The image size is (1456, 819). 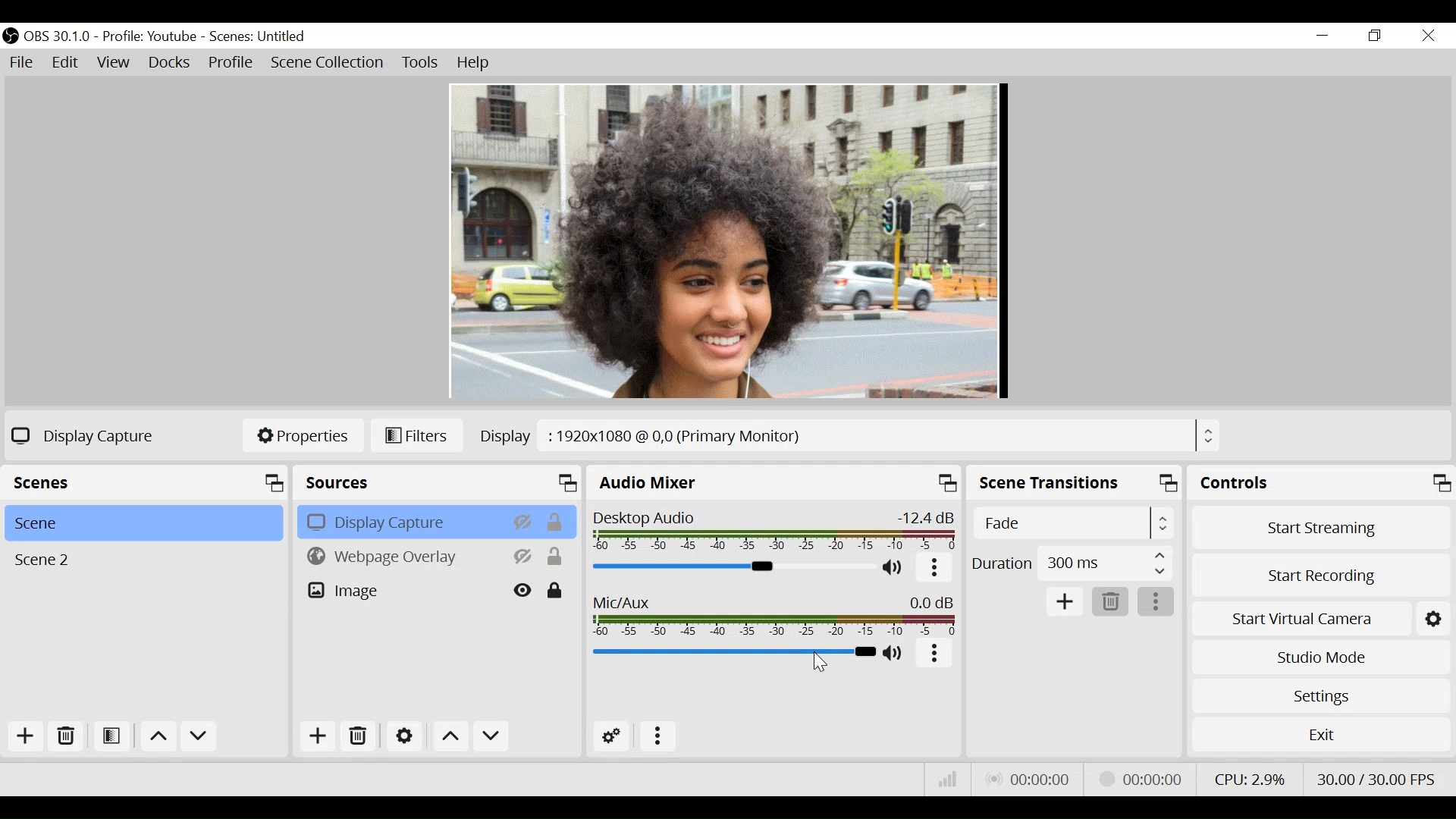 What do you see at coordinates (821, 664) in the screenshot?
I see `cursor` at bounding box center [821, 664].